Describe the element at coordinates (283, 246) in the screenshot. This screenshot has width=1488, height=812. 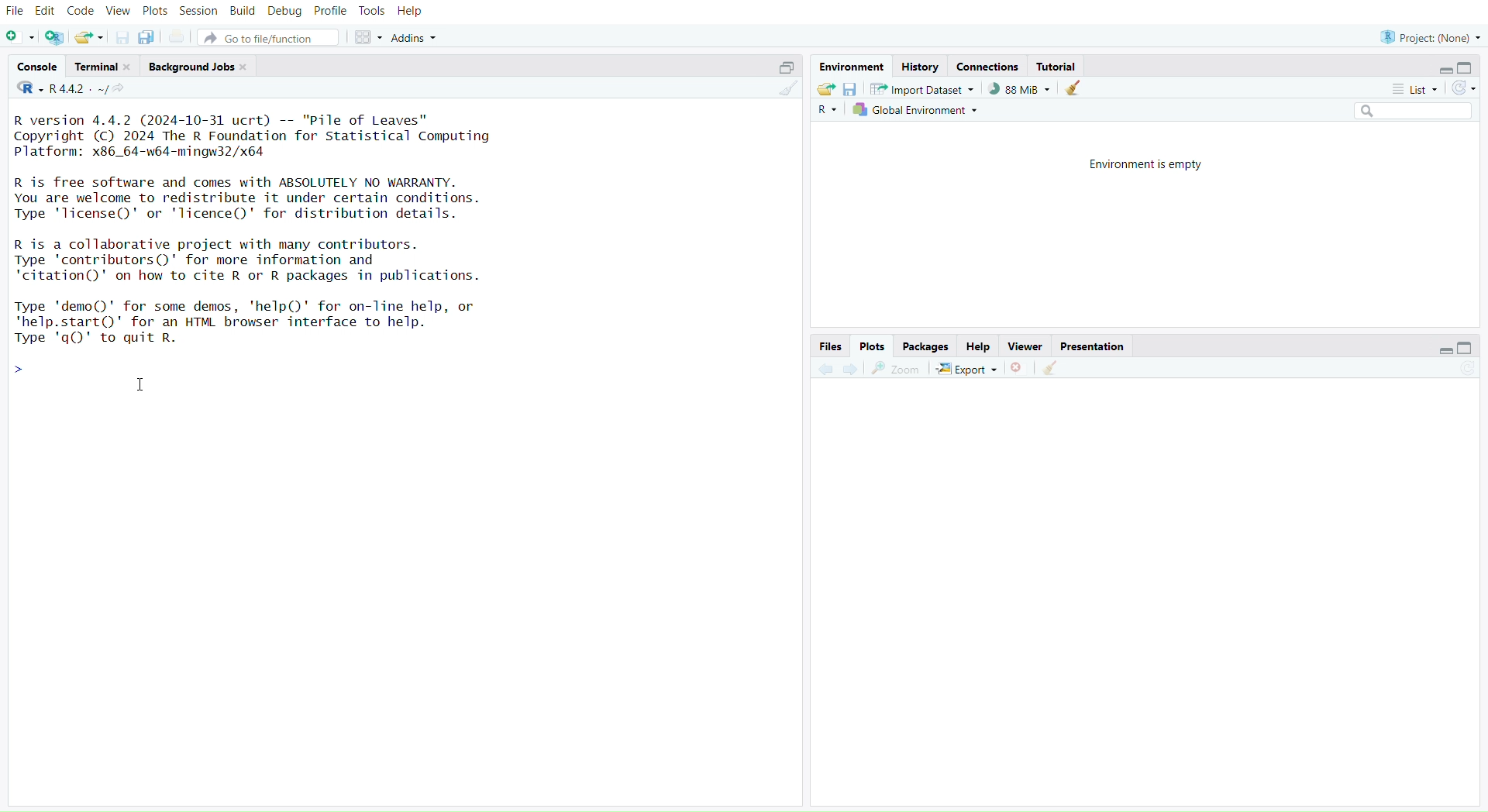
I see `R version 4.4.2 (2024-10-31 ucrt) -- "Pile of Leaves"
Copyright (C) 2024 The R Foundation for Statistical Computing
Platform: x86_64-w64-mingw32/x64

R is free software and comes with ABSOLUTELY NO WARRANTY.
You are welcome to redistribute it under certain conditions.
Type 'license()' or 'licence()' for distribution details.

R is a collaborative project with many contributors.

Type 'contributors()' for more information and

"citation()' on how to cite R or R packages in publications.
Type 'demo()' for some demos, 'help()' for on-line help, or
'help.start()' for an HTML browser interface to help.

Type 'qQ)' to quit R.

>` at that location.